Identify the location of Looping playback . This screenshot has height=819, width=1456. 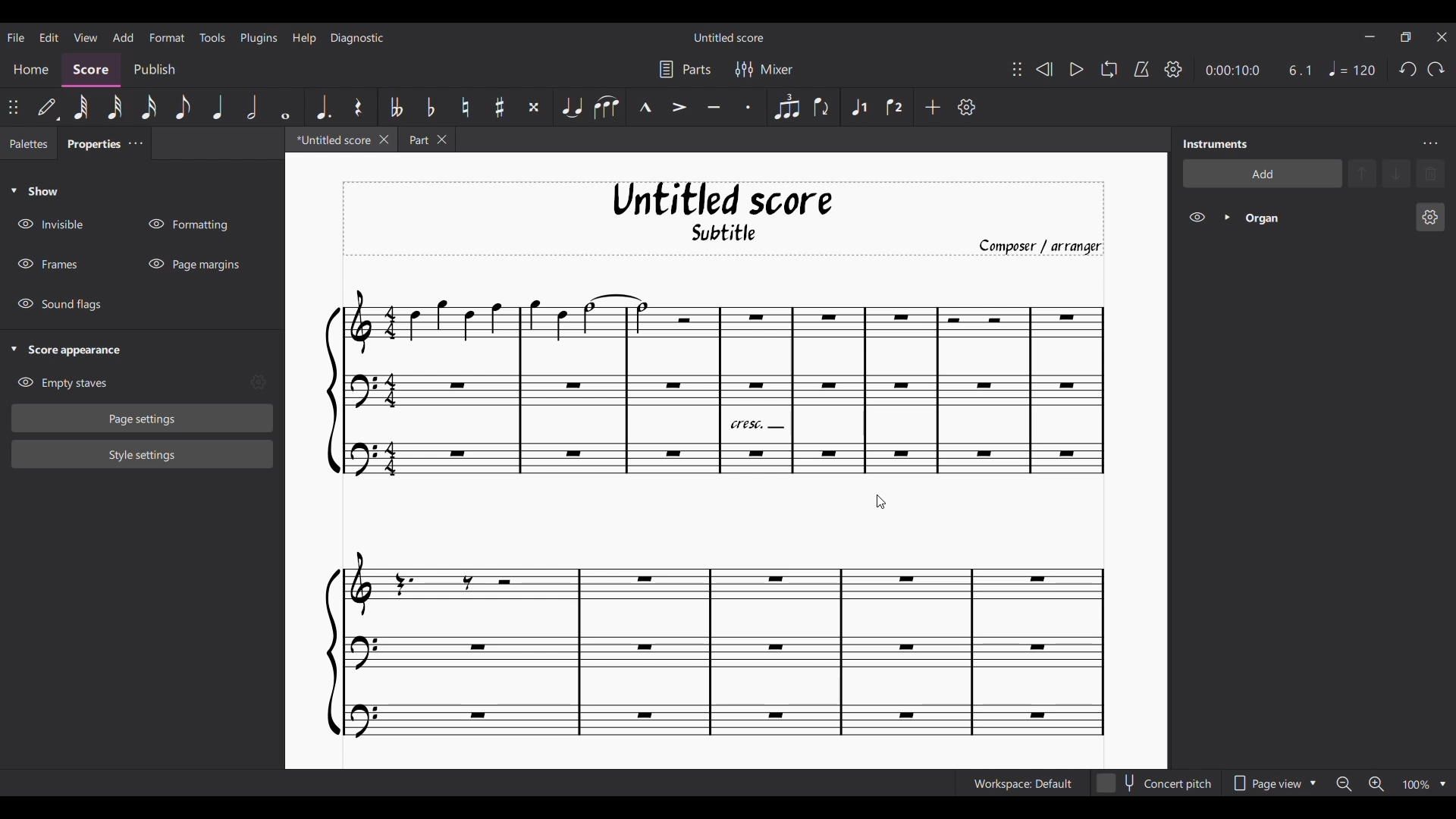
(1109, 69).